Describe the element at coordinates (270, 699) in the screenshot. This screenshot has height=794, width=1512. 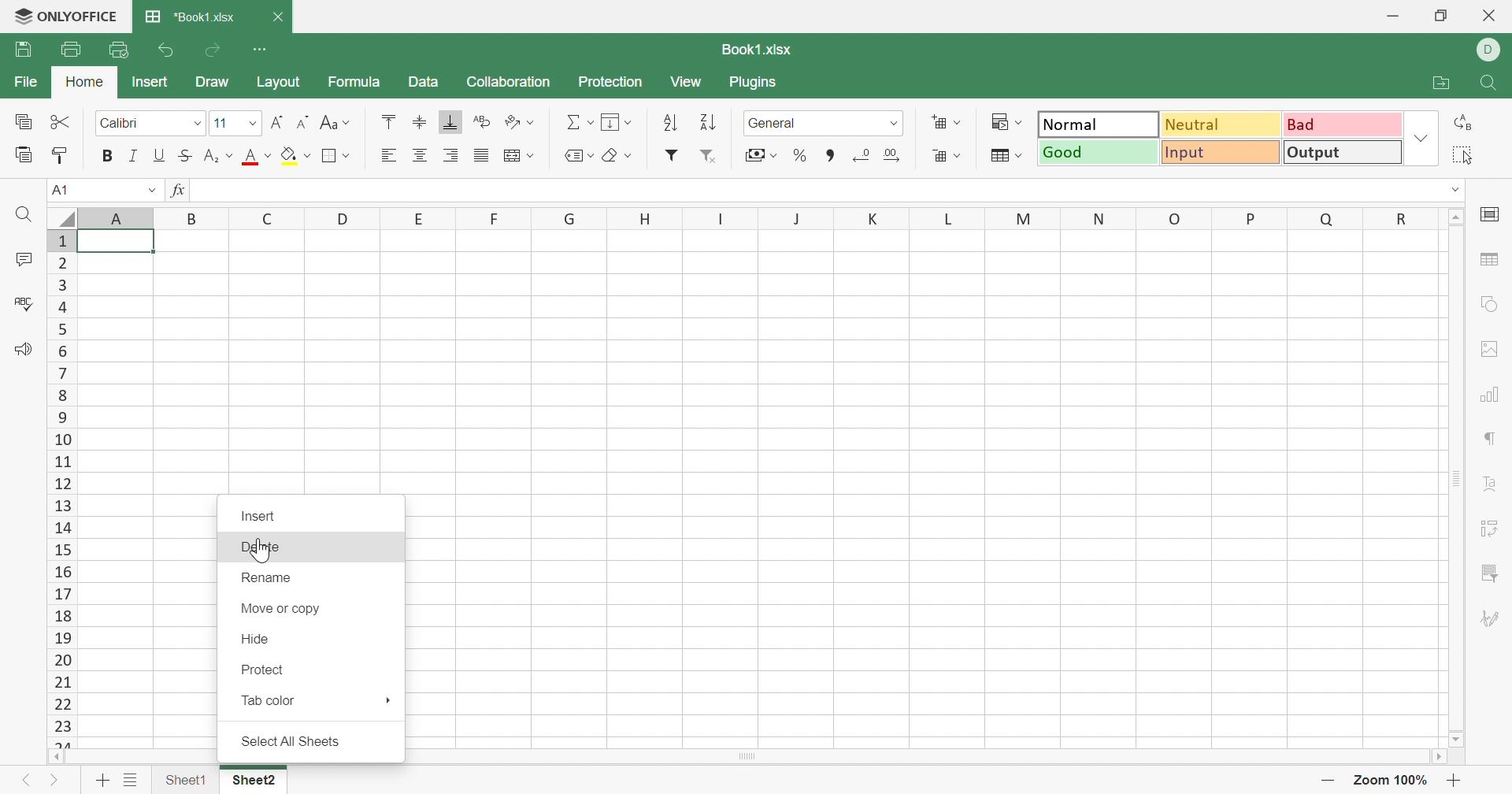
I see `Tab color` at that location.